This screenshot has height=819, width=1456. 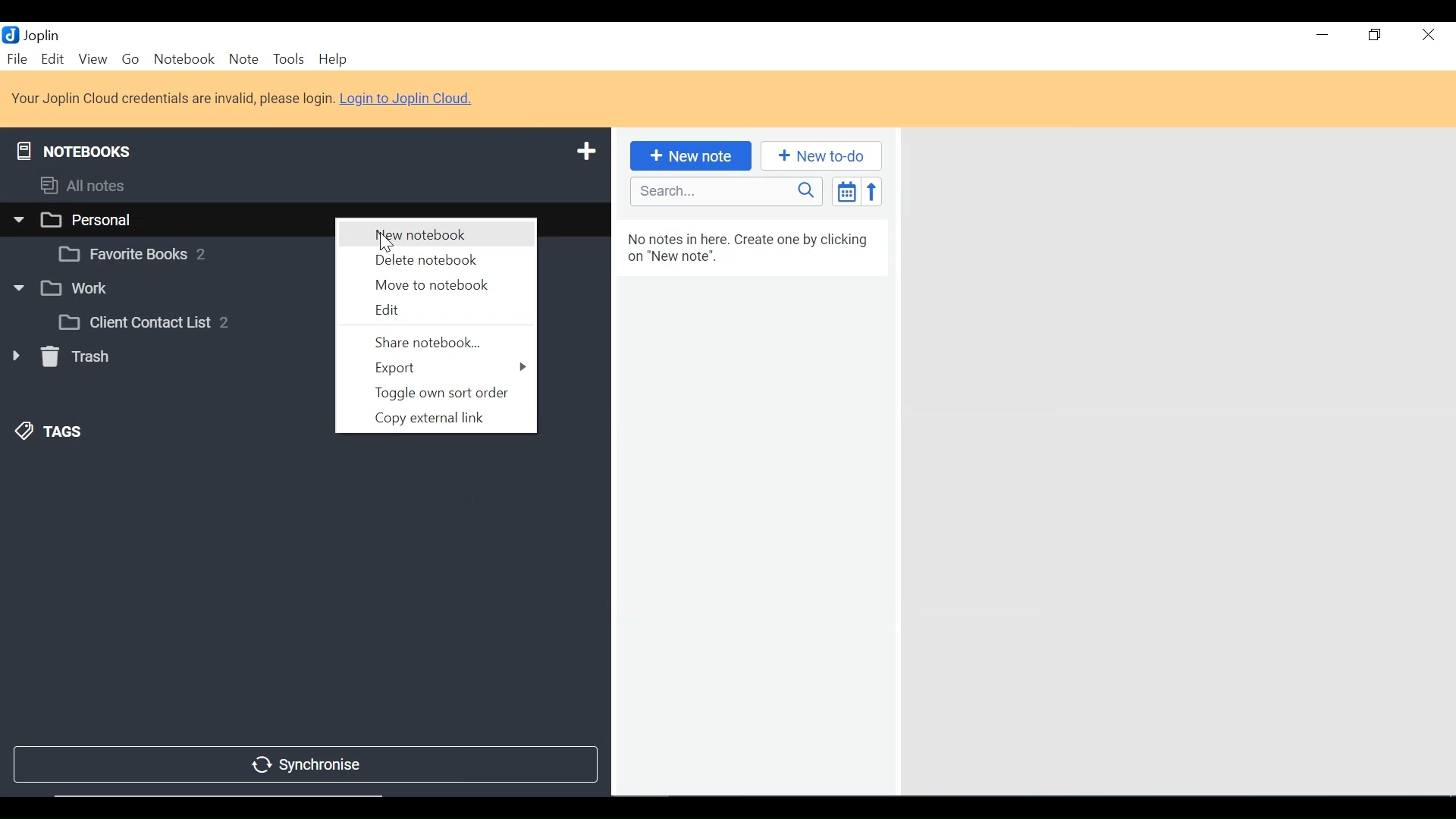 What do you see at coordinates (1375, 37) in the screenshot?
I see `Restore` at bounding box center [1375, 37].